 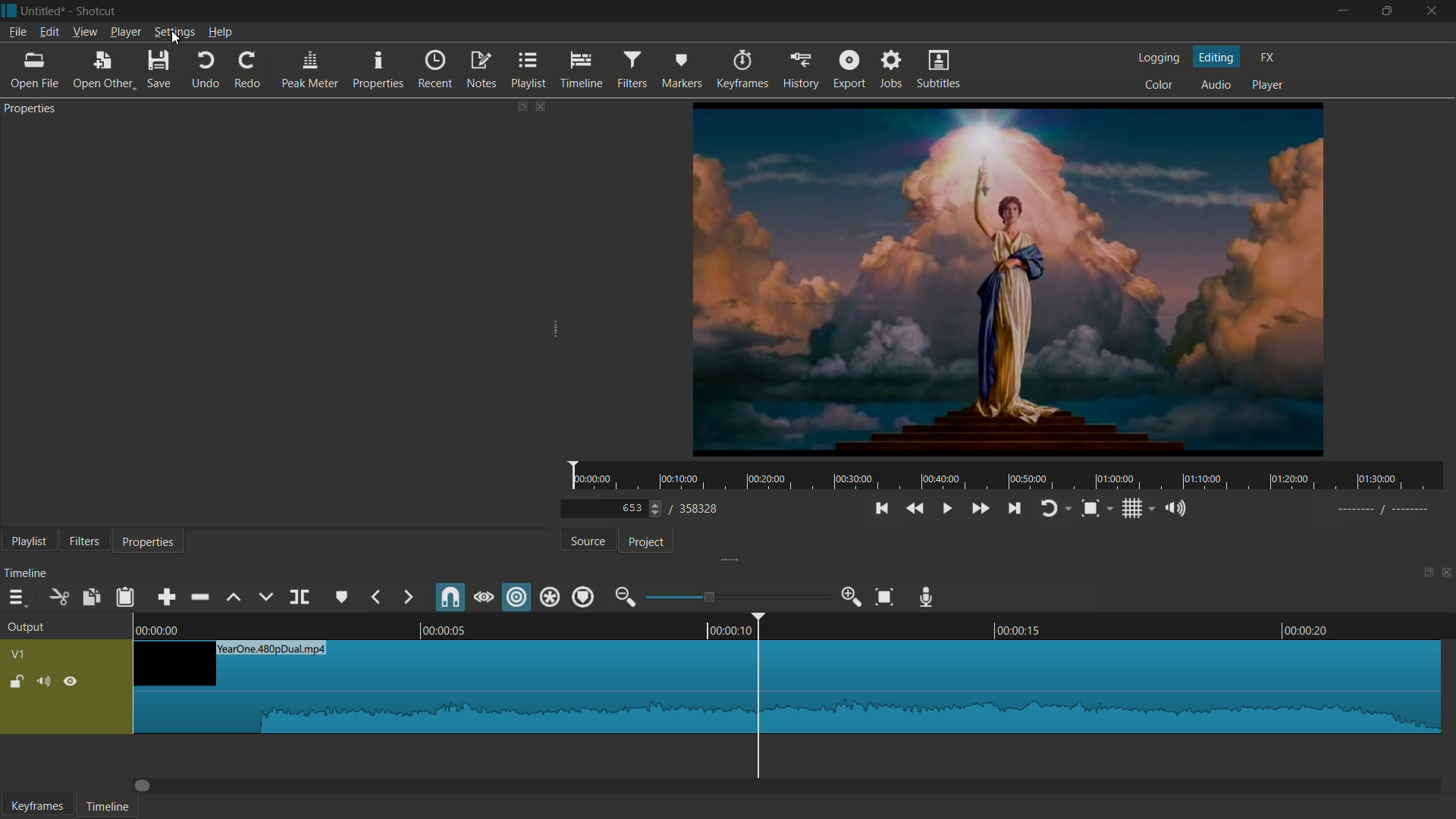 I want to click on filters, so click(x=83, y=541).